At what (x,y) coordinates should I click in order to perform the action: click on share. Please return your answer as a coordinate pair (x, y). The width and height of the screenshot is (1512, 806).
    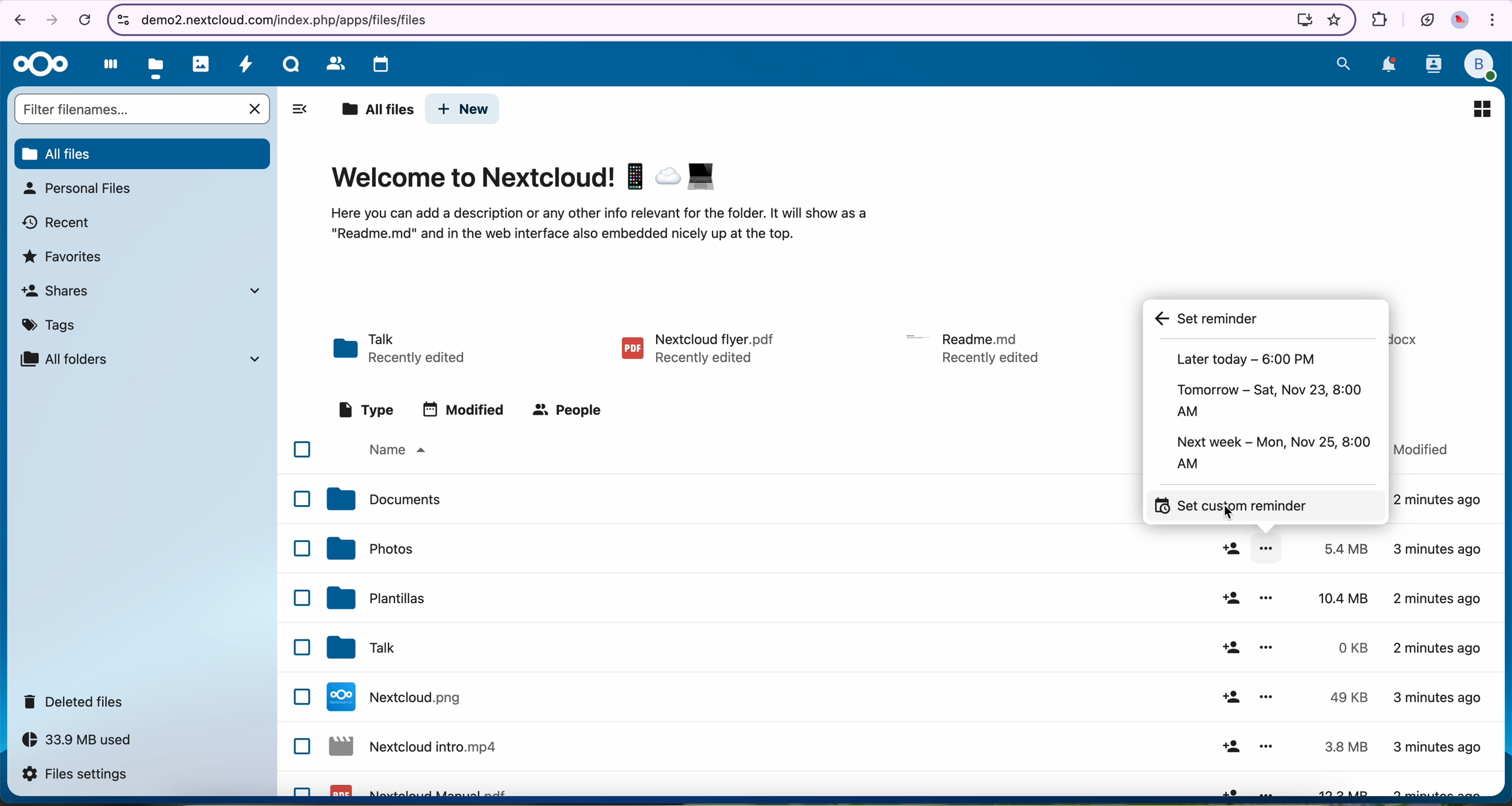
    Looking at the image, I should click on (1228, 697).